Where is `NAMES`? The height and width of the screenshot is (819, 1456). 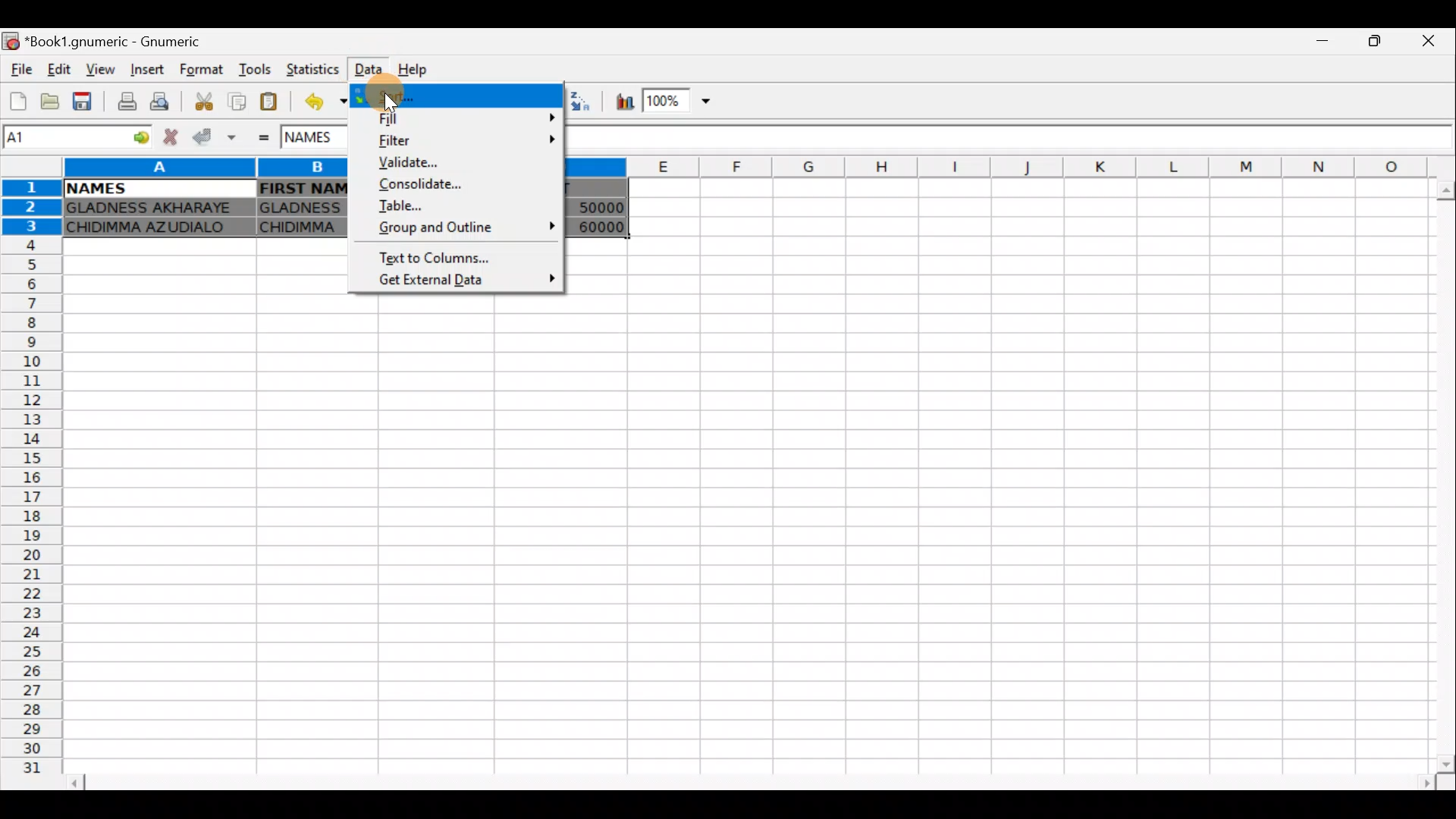
NAMES is located at coordinates (320, 141).